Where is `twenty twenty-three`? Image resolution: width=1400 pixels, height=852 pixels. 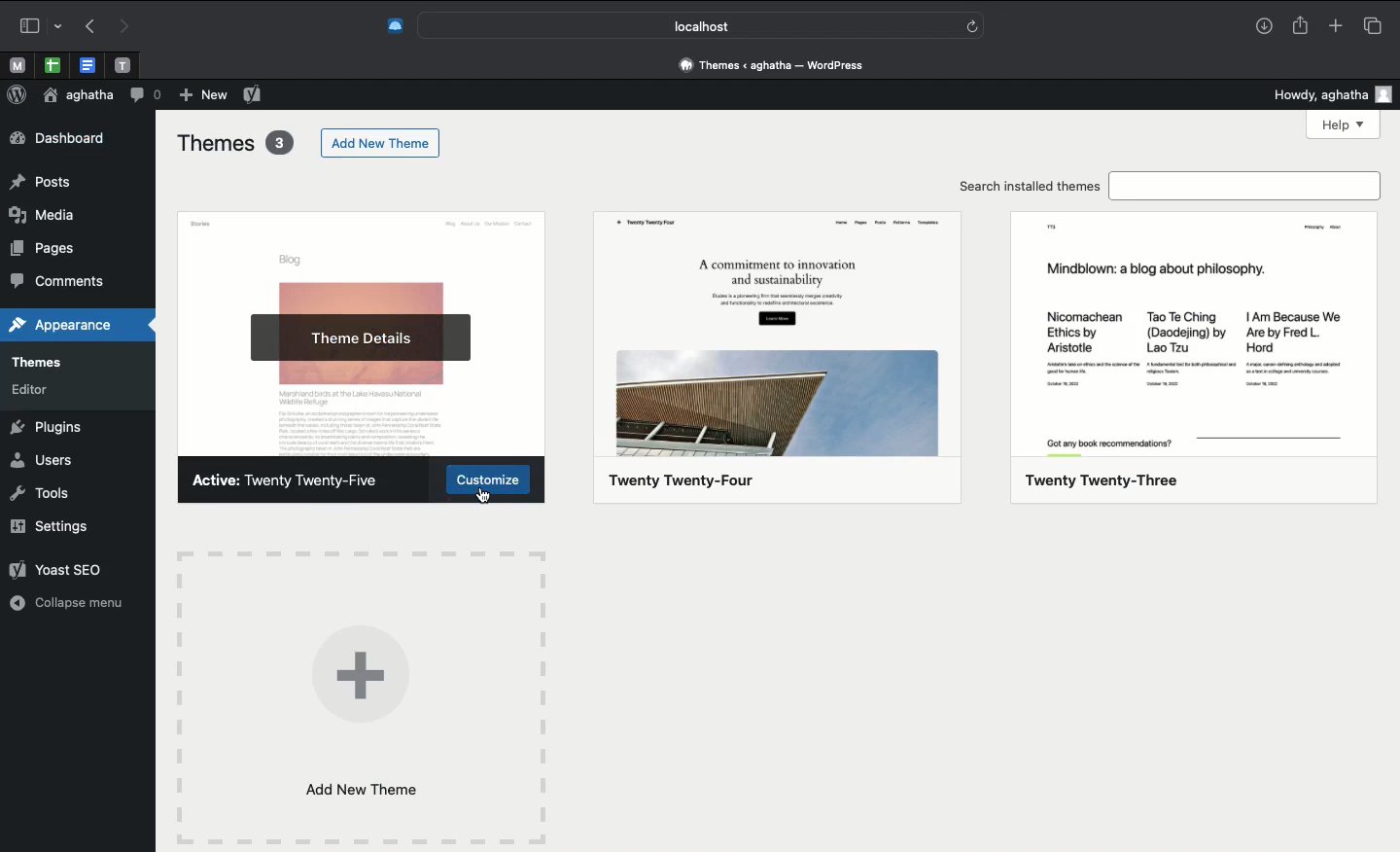 twenty twenty-three is located at coordinates (1197, 354).